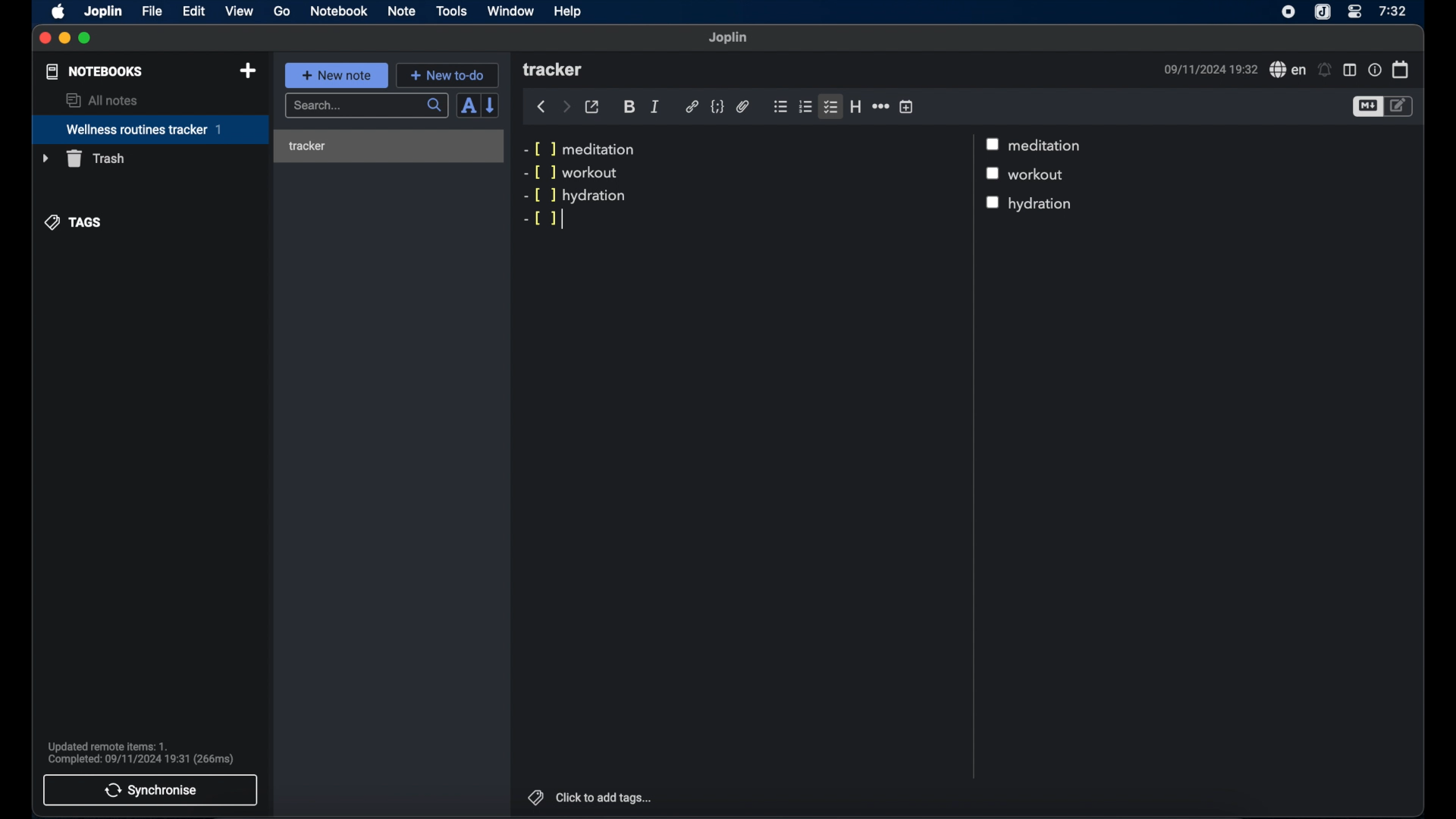 The height and width of the screenshot is (819, 1456). Describe the element at coordinates (743, 108) in the screenshot. I see `attach file` at that location.